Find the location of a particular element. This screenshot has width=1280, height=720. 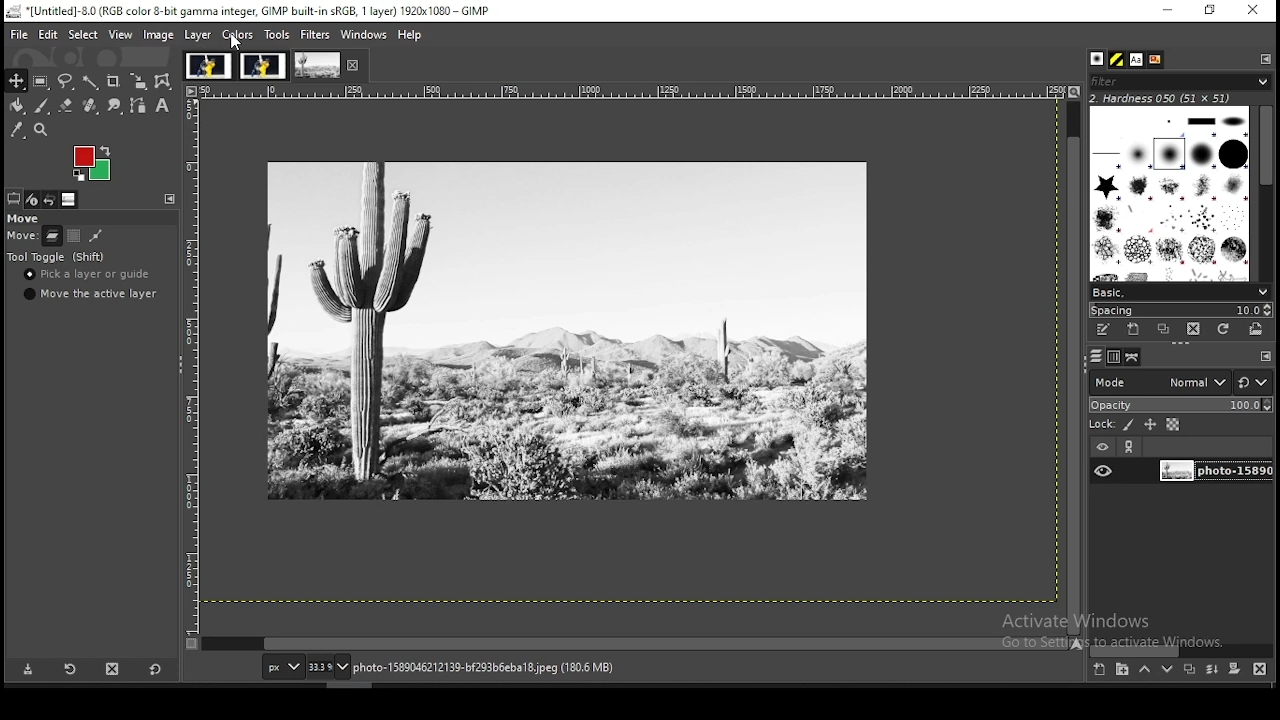

mask layer is located at coordinates (1234, 670).